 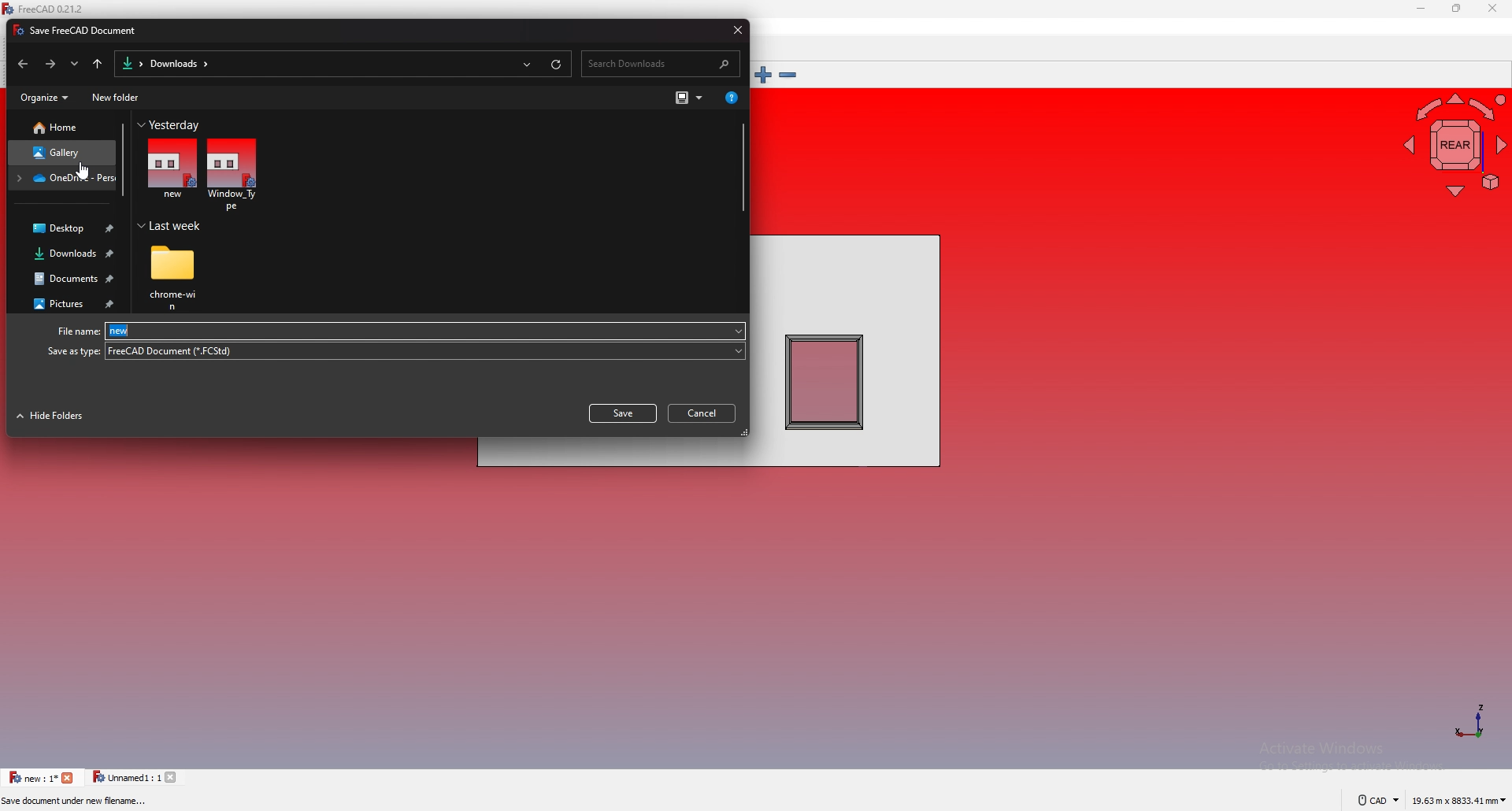 What do you see at coordinates (65, 302) in the screenshot?
I see `pictures` at bounding box center [65, 302].